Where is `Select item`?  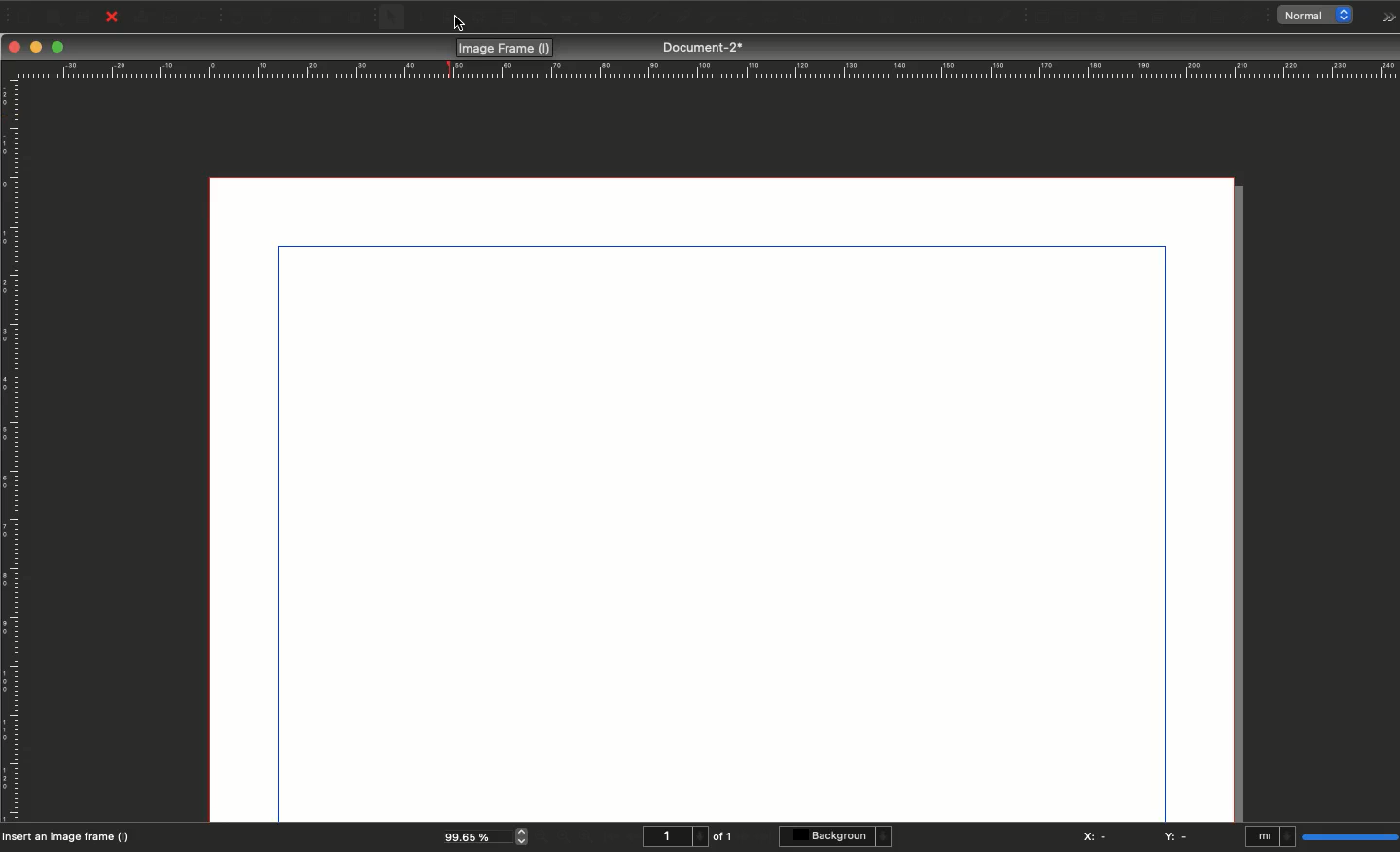 Select item is located at coordinates (393, 18).